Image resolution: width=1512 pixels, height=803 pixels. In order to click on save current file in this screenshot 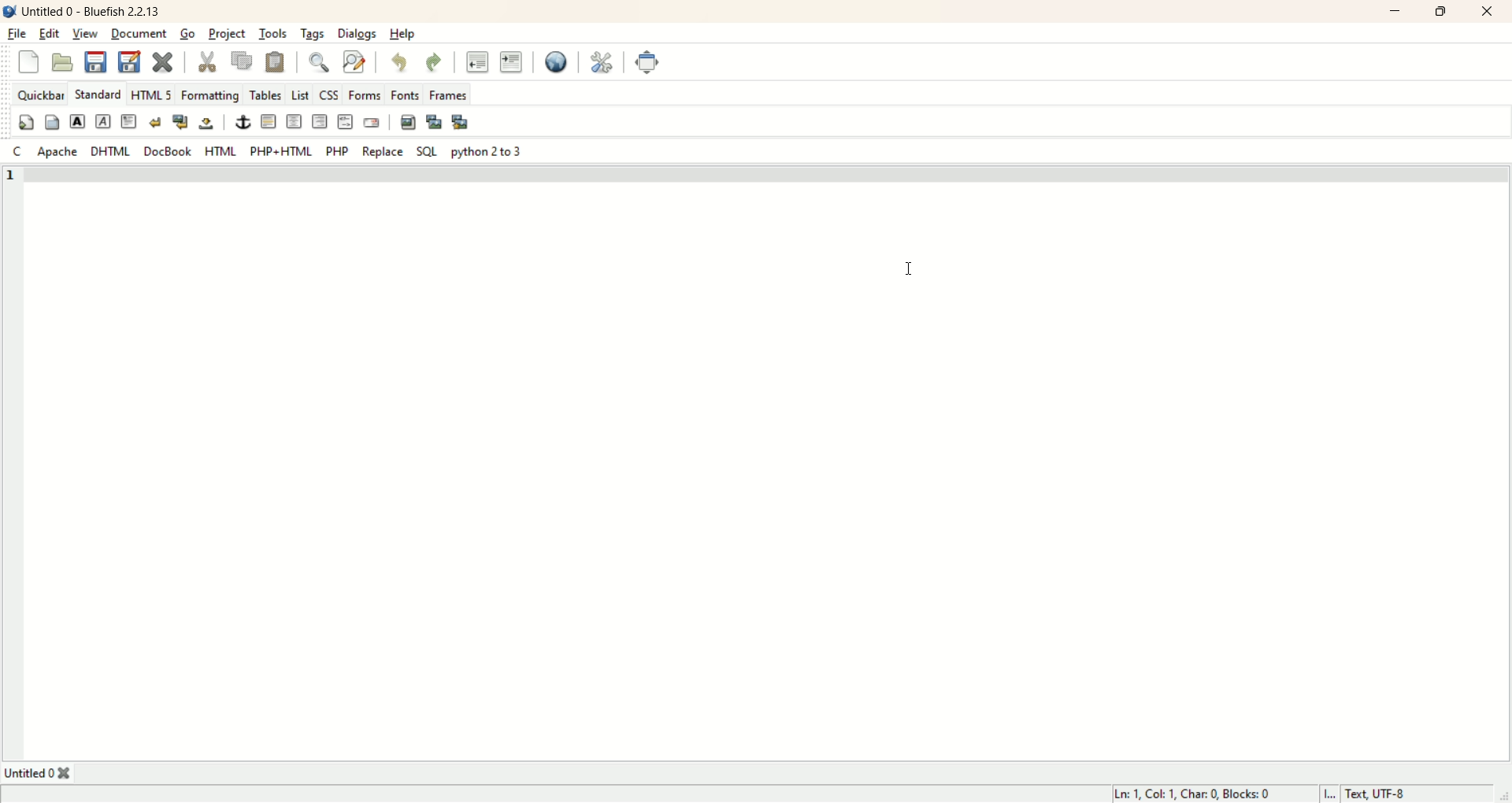, I will do `click(94, 62)`.